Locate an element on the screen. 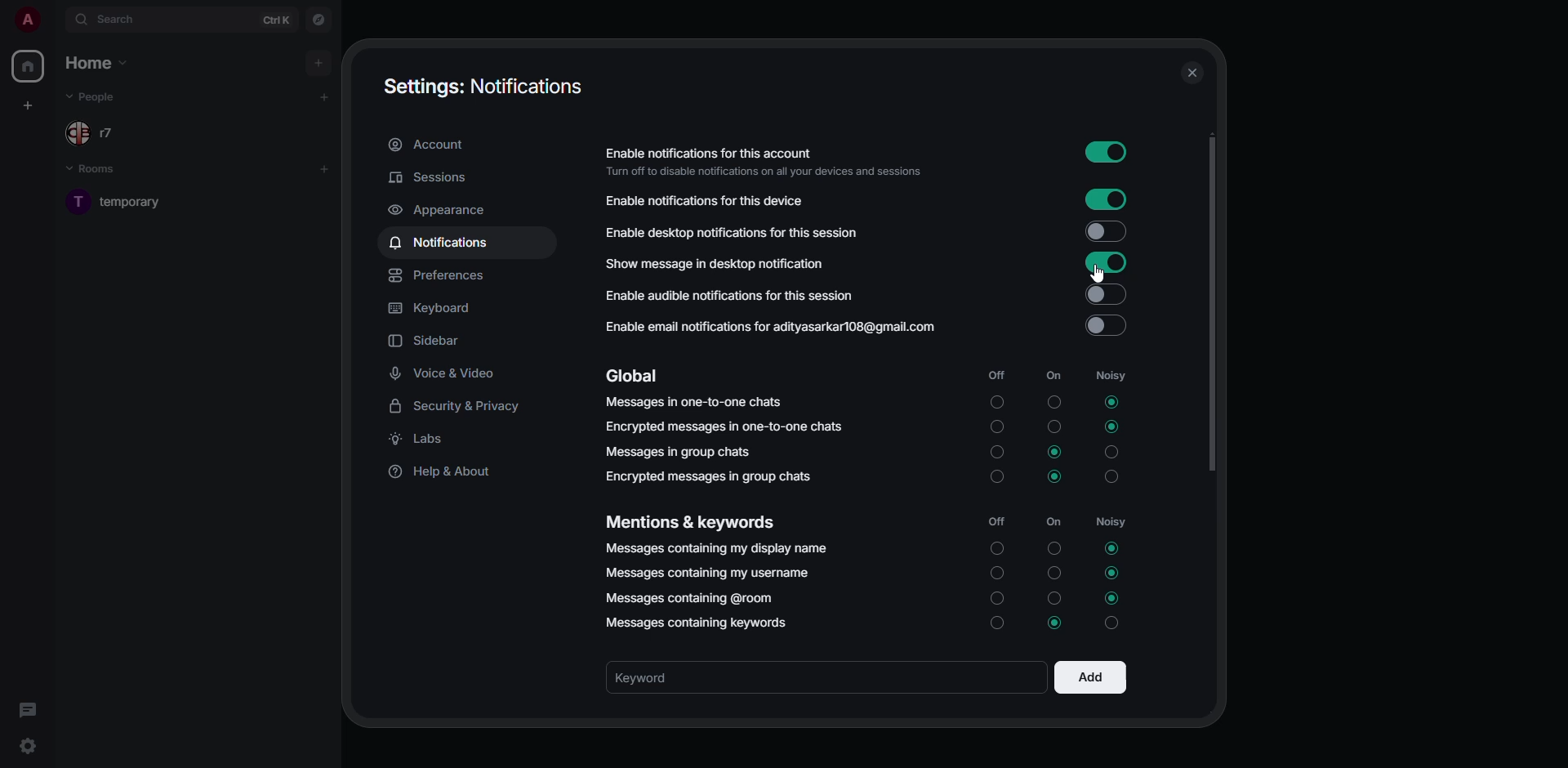 The width and height of the screenshot is (1568, 768). selected is located at coordinates (1113, 547).